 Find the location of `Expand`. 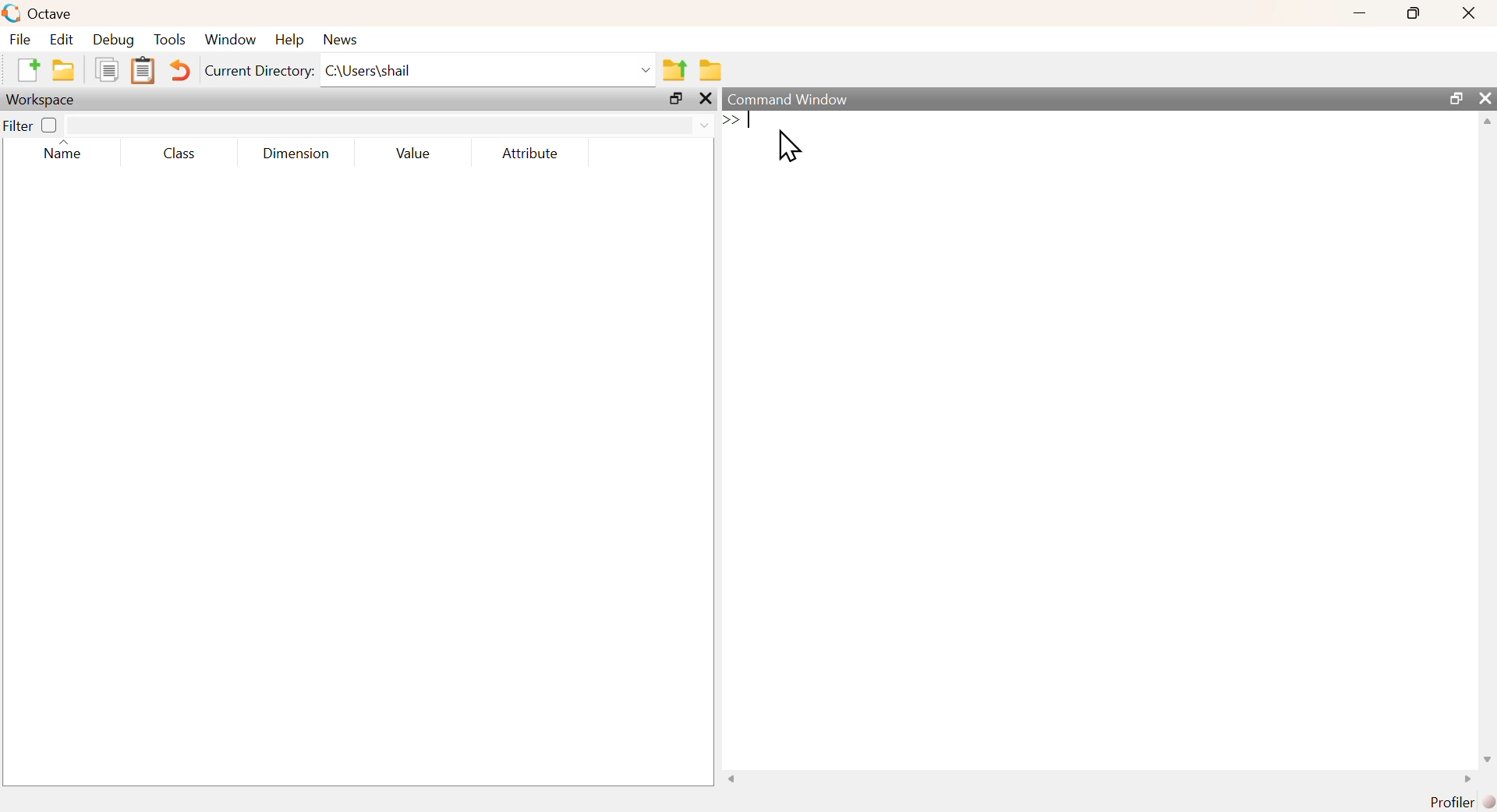

Expand is located at coordinates (731, 120).